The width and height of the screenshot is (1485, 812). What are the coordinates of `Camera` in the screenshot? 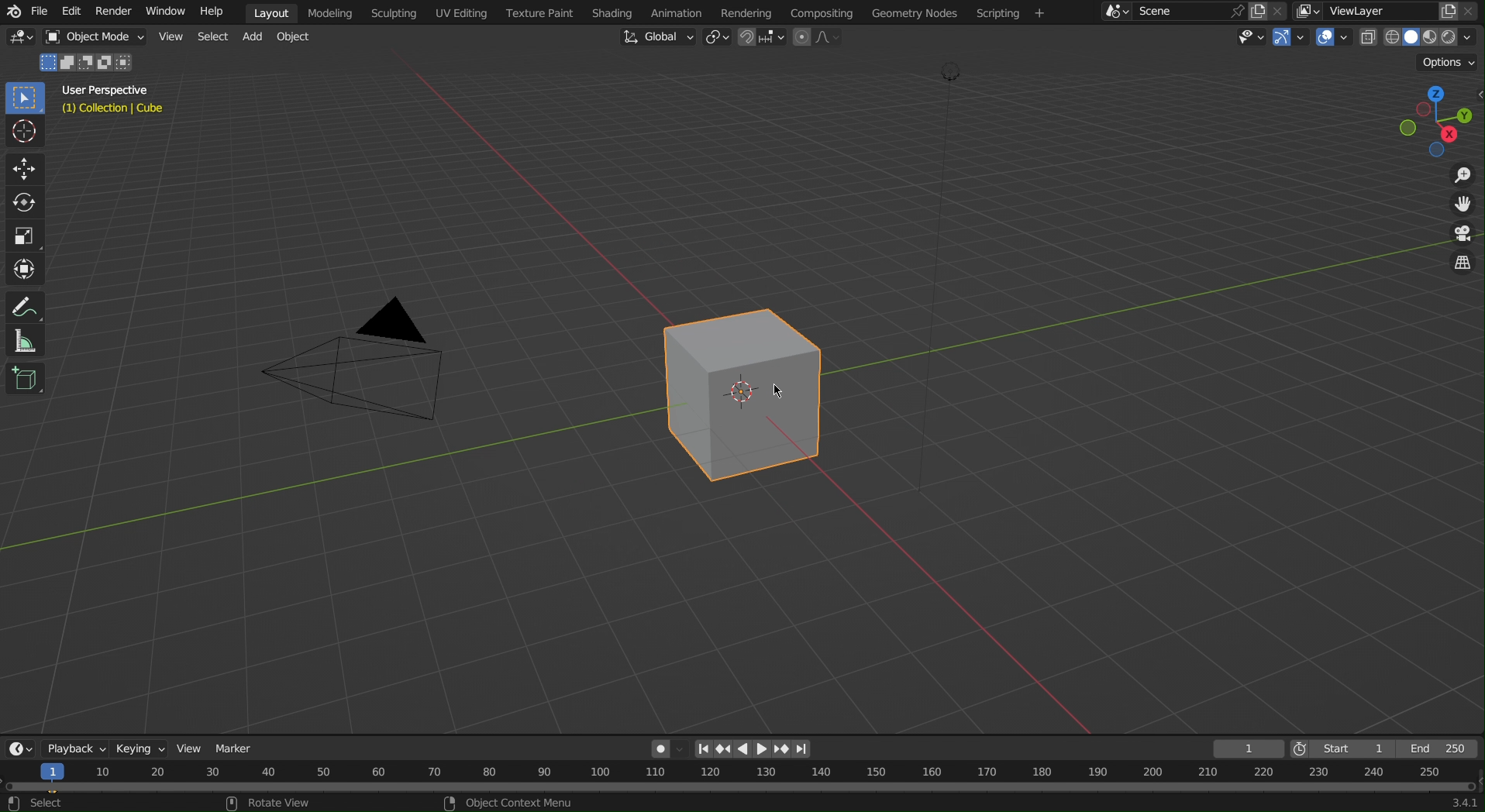 It's located at (360, 369).